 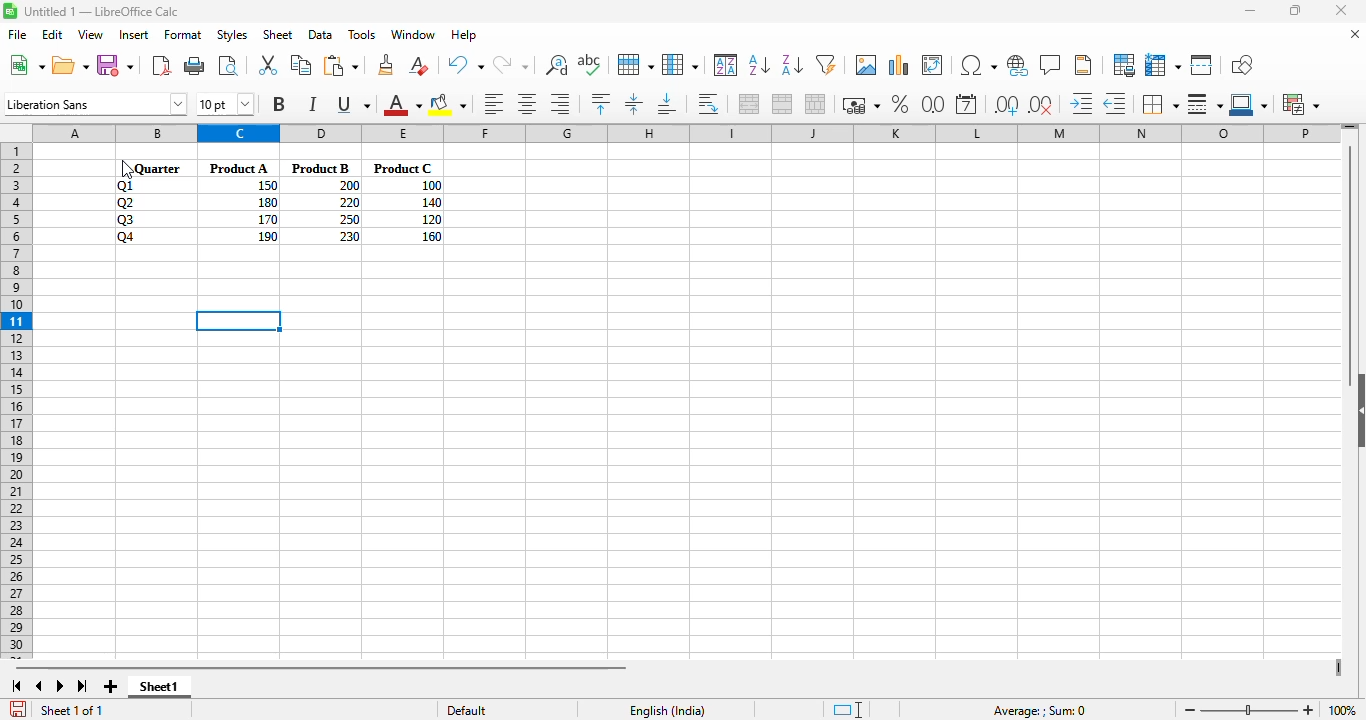 I want to click on sort descending, so click(x=793, y=65).